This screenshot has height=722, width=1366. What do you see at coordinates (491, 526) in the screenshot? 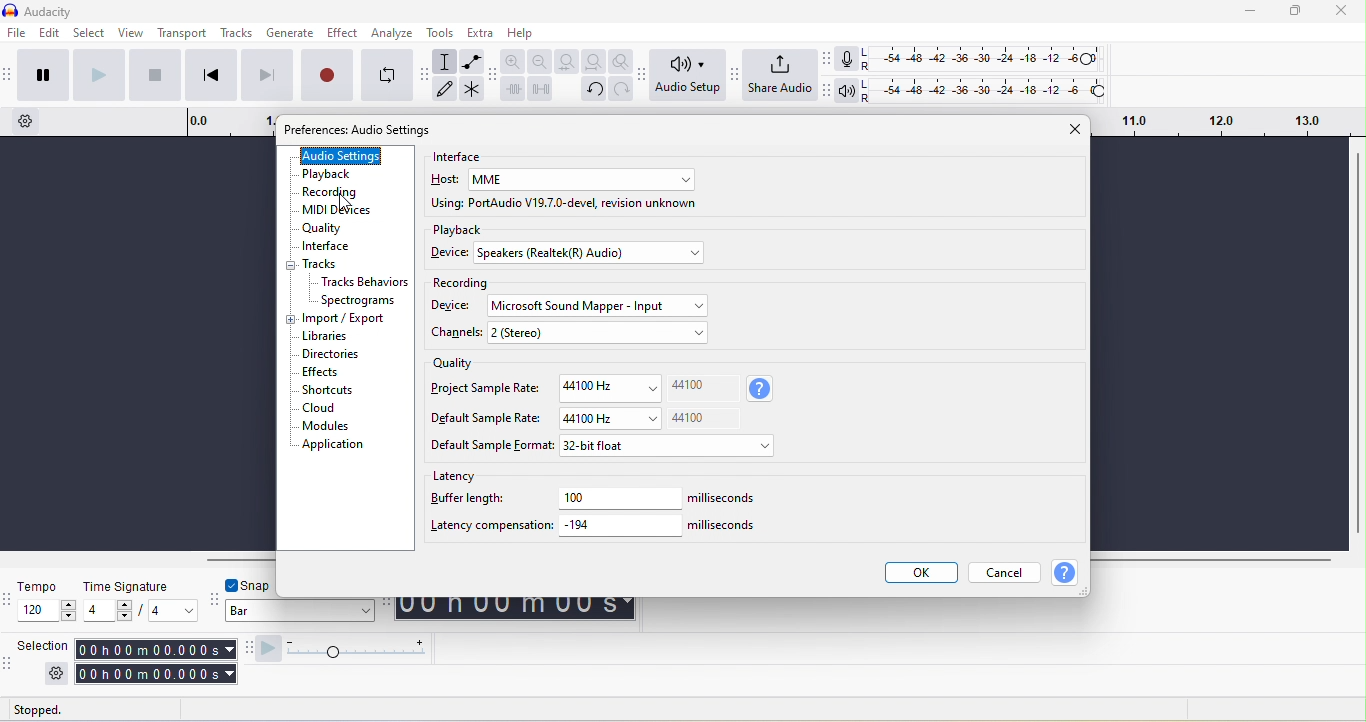
I see `latency compensation` at bounding box center [491, 526].